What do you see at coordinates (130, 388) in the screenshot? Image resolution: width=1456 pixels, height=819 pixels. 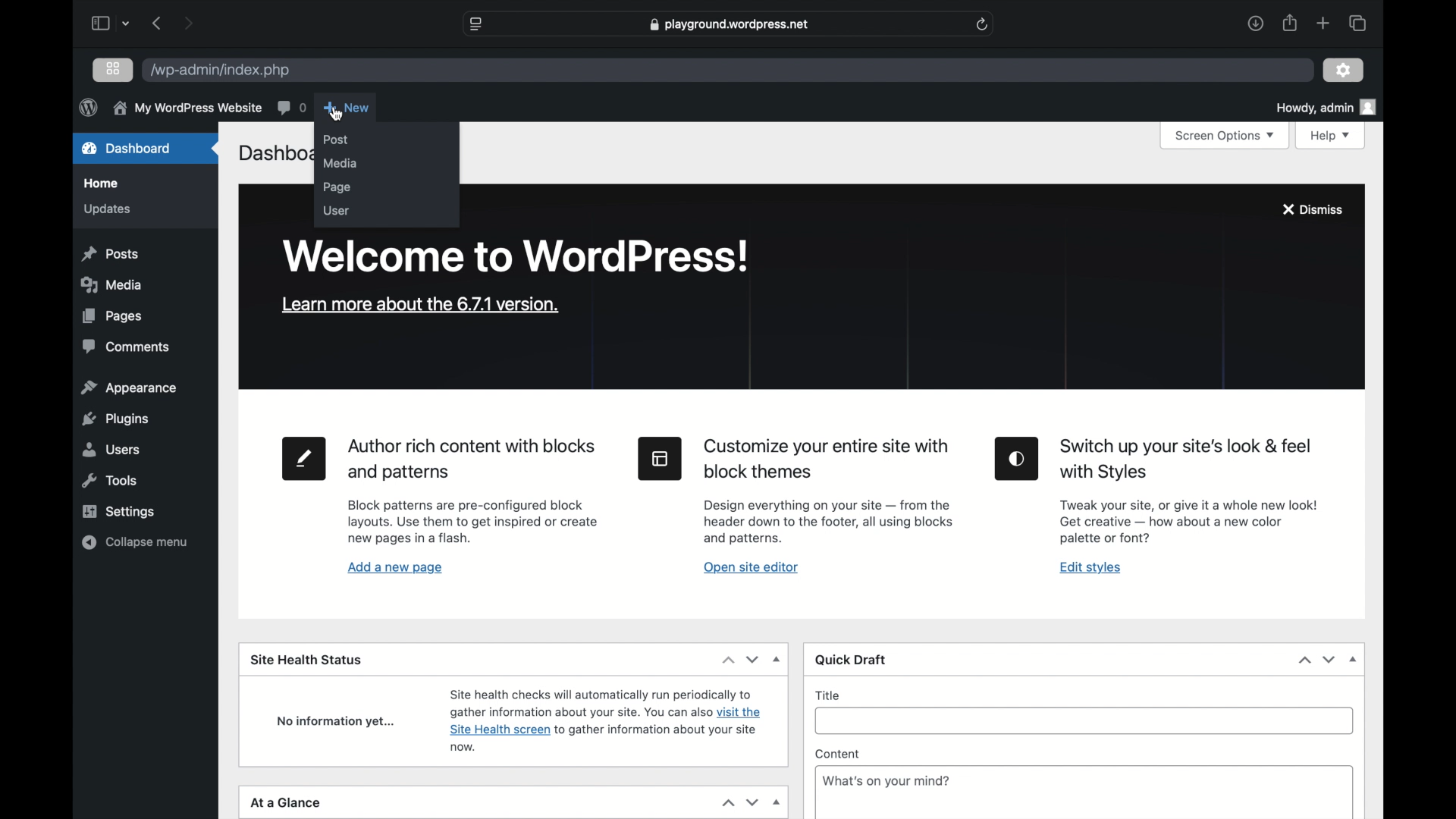 I see `appearance` at bounding box center [130, 388].